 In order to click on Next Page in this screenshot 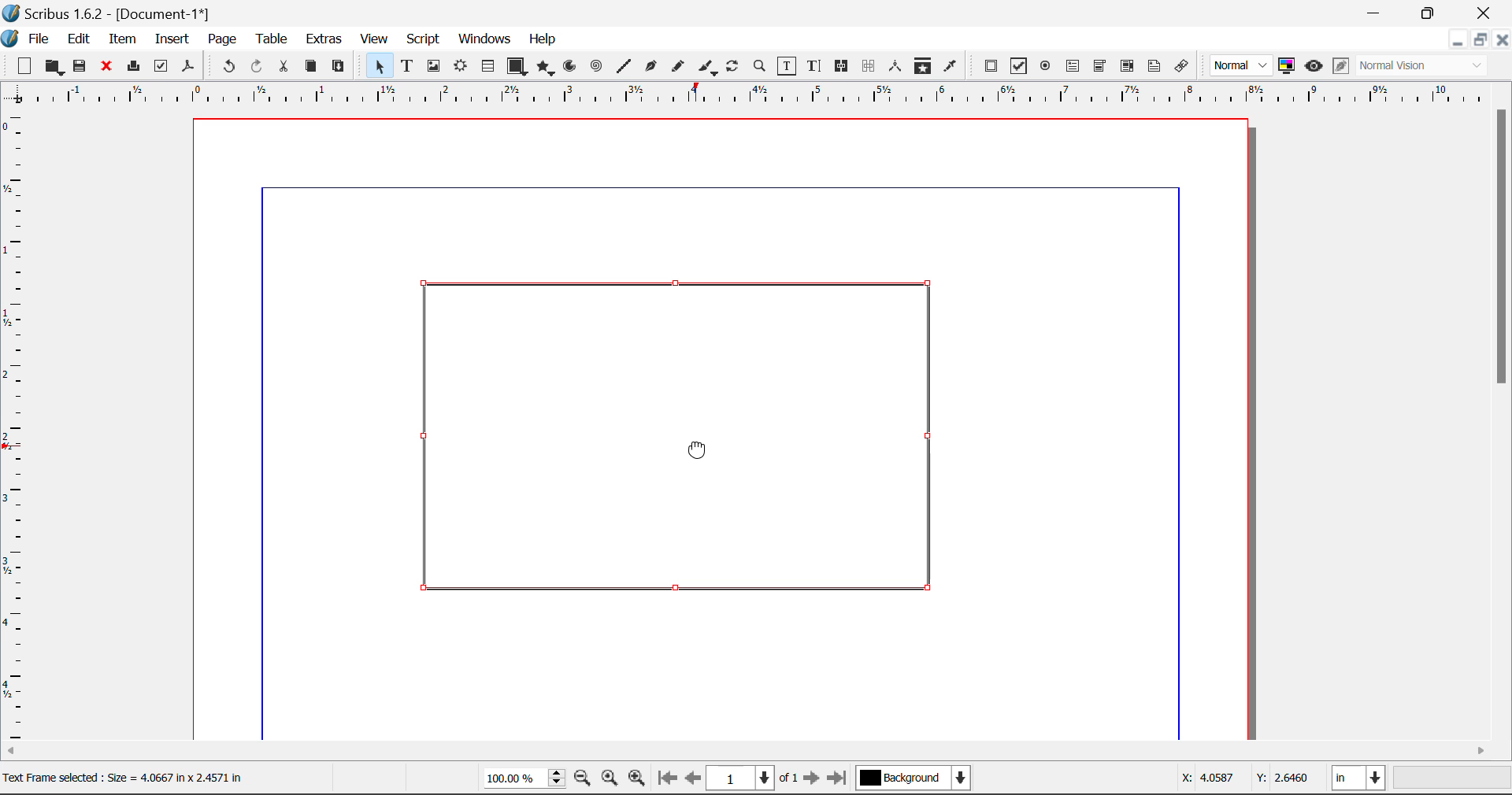, I will do `click(814, 781)`.